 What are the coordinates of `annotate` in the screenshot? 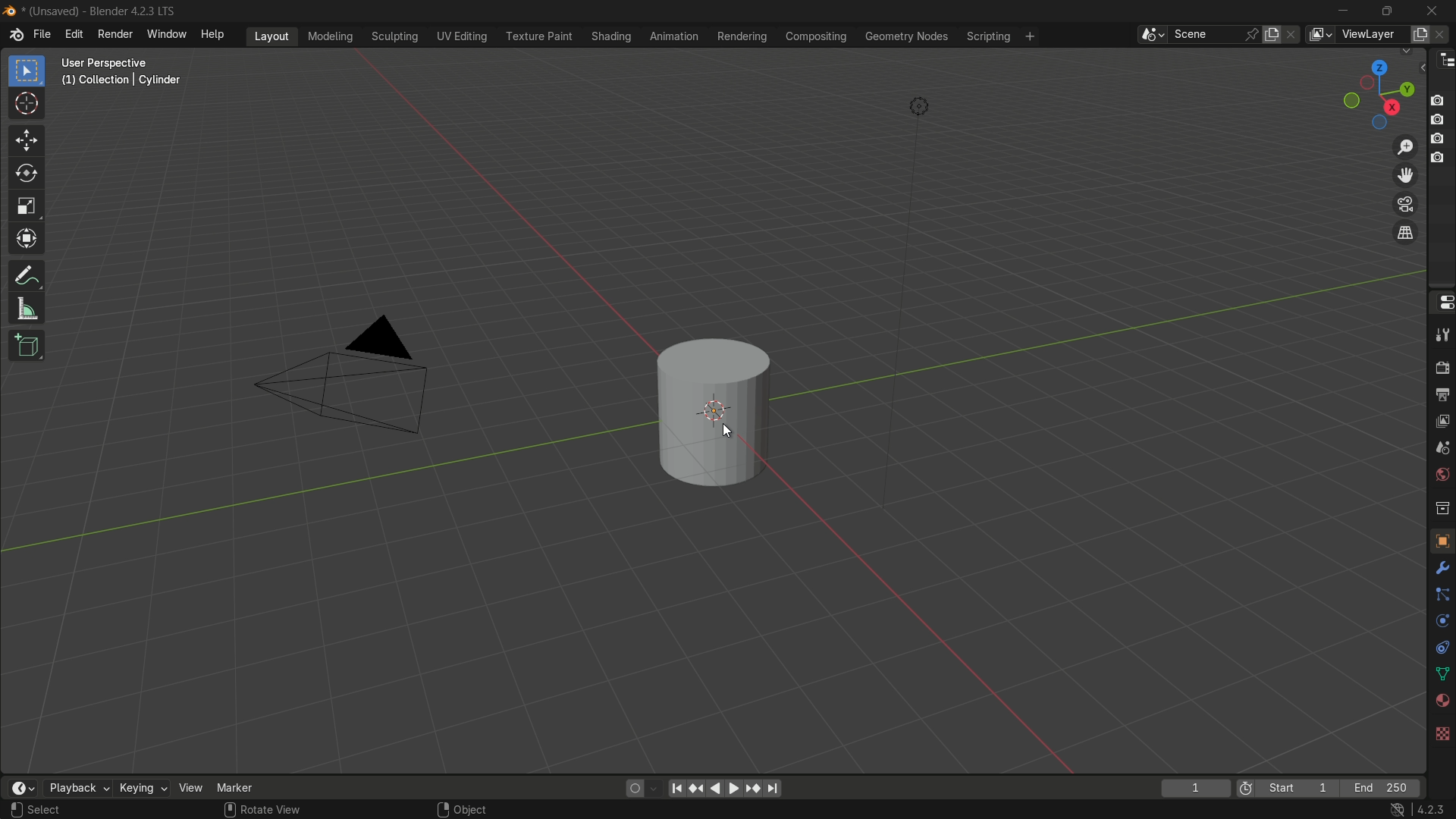 It's located at (26, 277).